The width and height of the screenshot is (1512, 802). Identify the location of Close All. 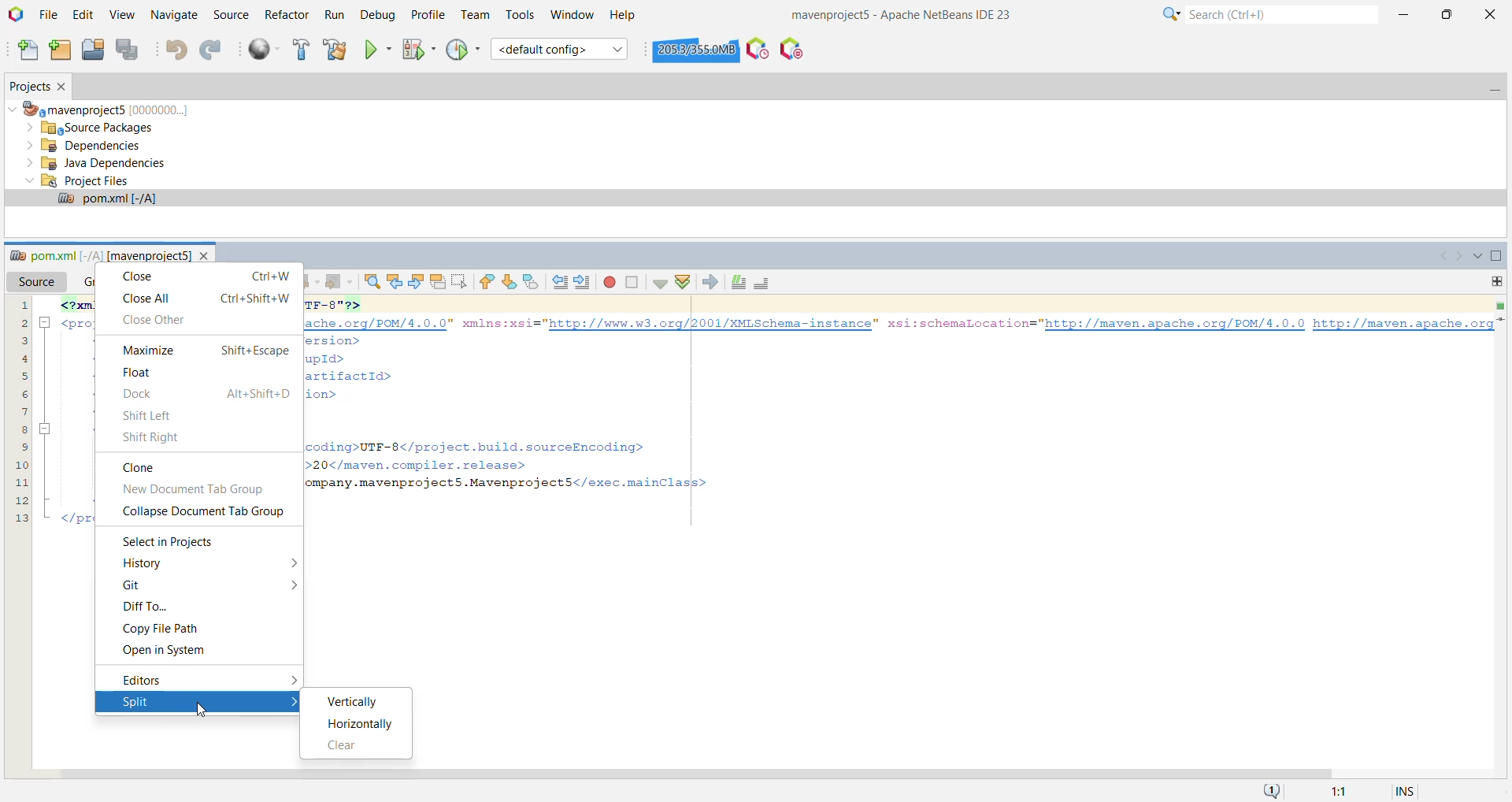
(206, 297).